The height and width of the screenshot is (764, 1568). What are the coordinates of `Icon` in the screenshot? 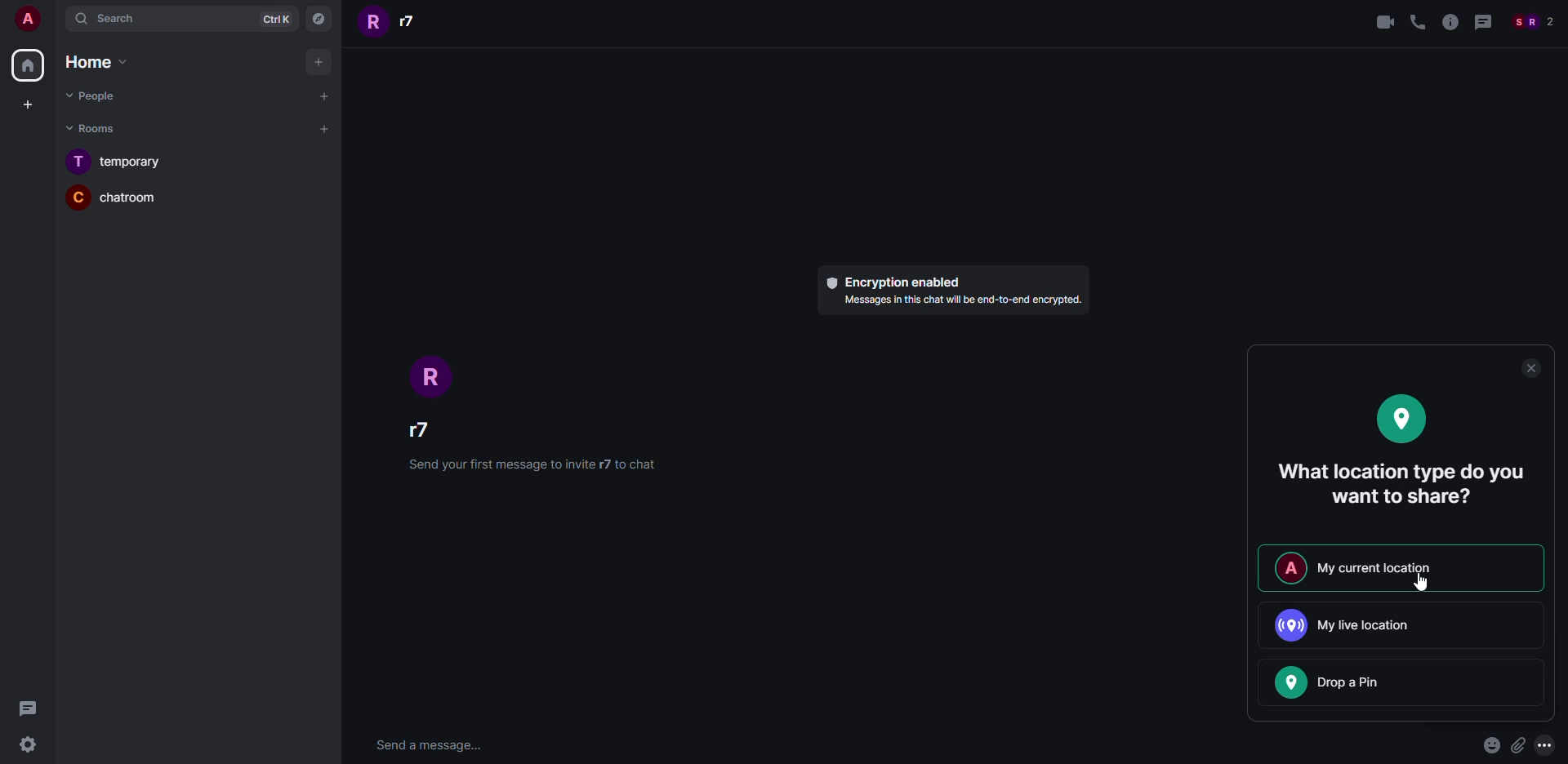 It's located at (437, 377).